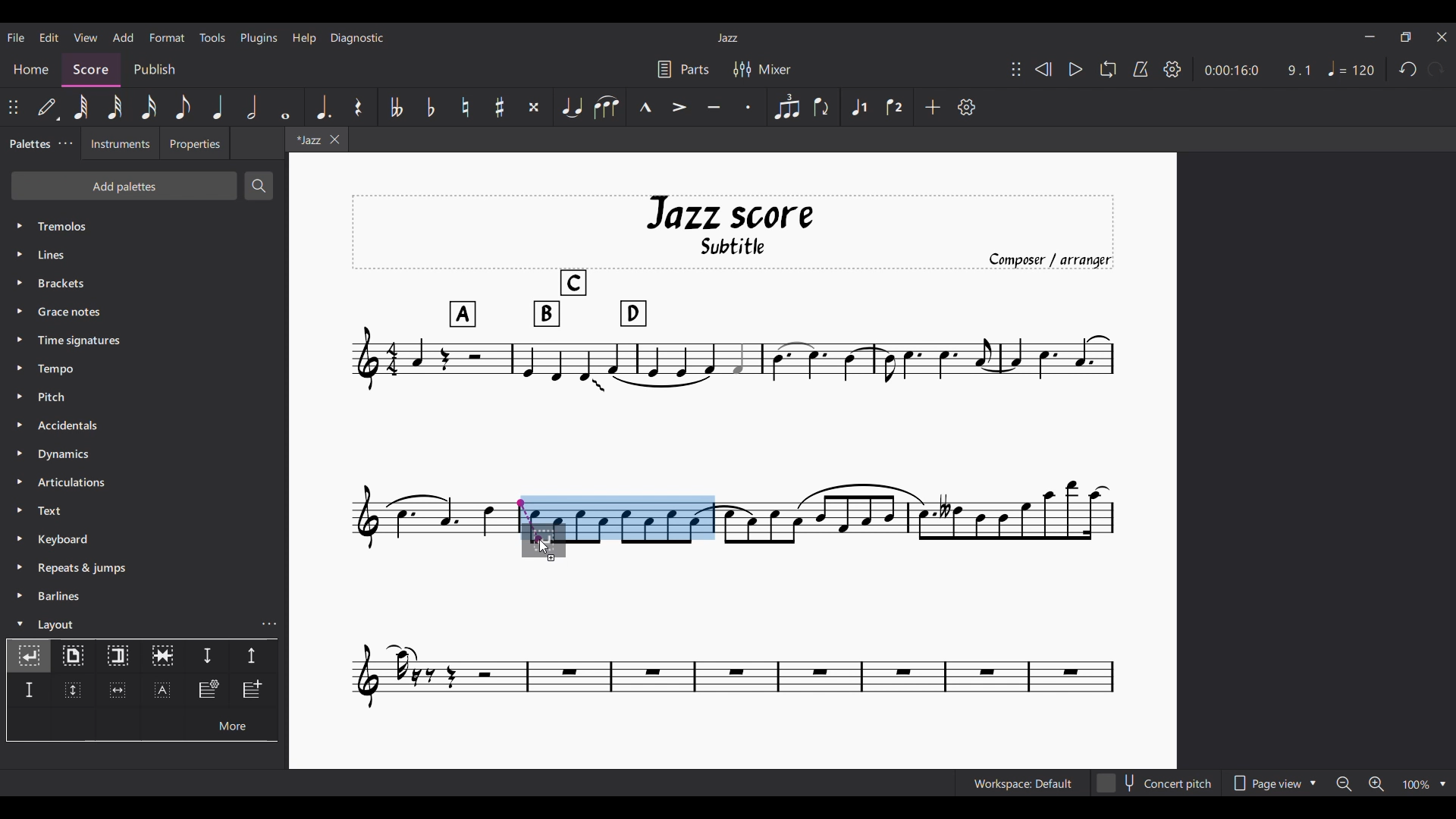  What do you see at coordinates (72, 691) in the screenshot?
I see `Insert vertical frame` at bounding box center [72, 691].